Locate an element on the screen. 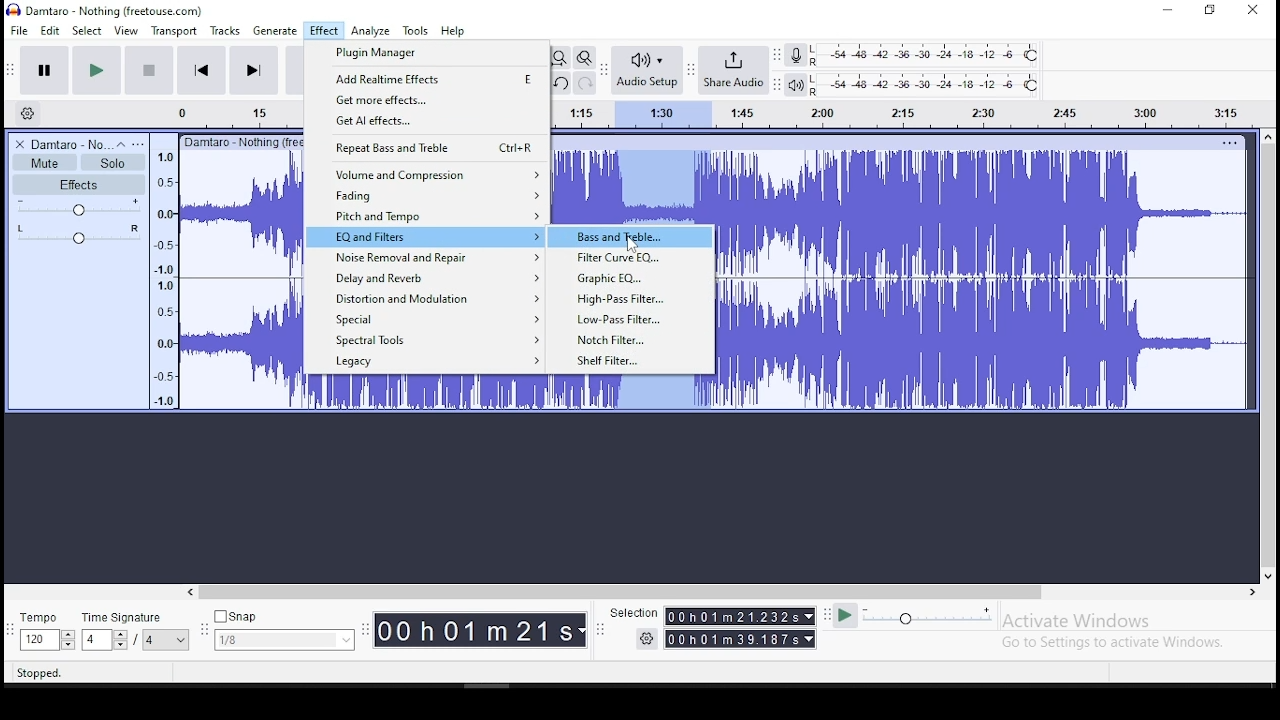 This screenshot has height=720, width=1280. tempo is located at coordinates (44, 619).